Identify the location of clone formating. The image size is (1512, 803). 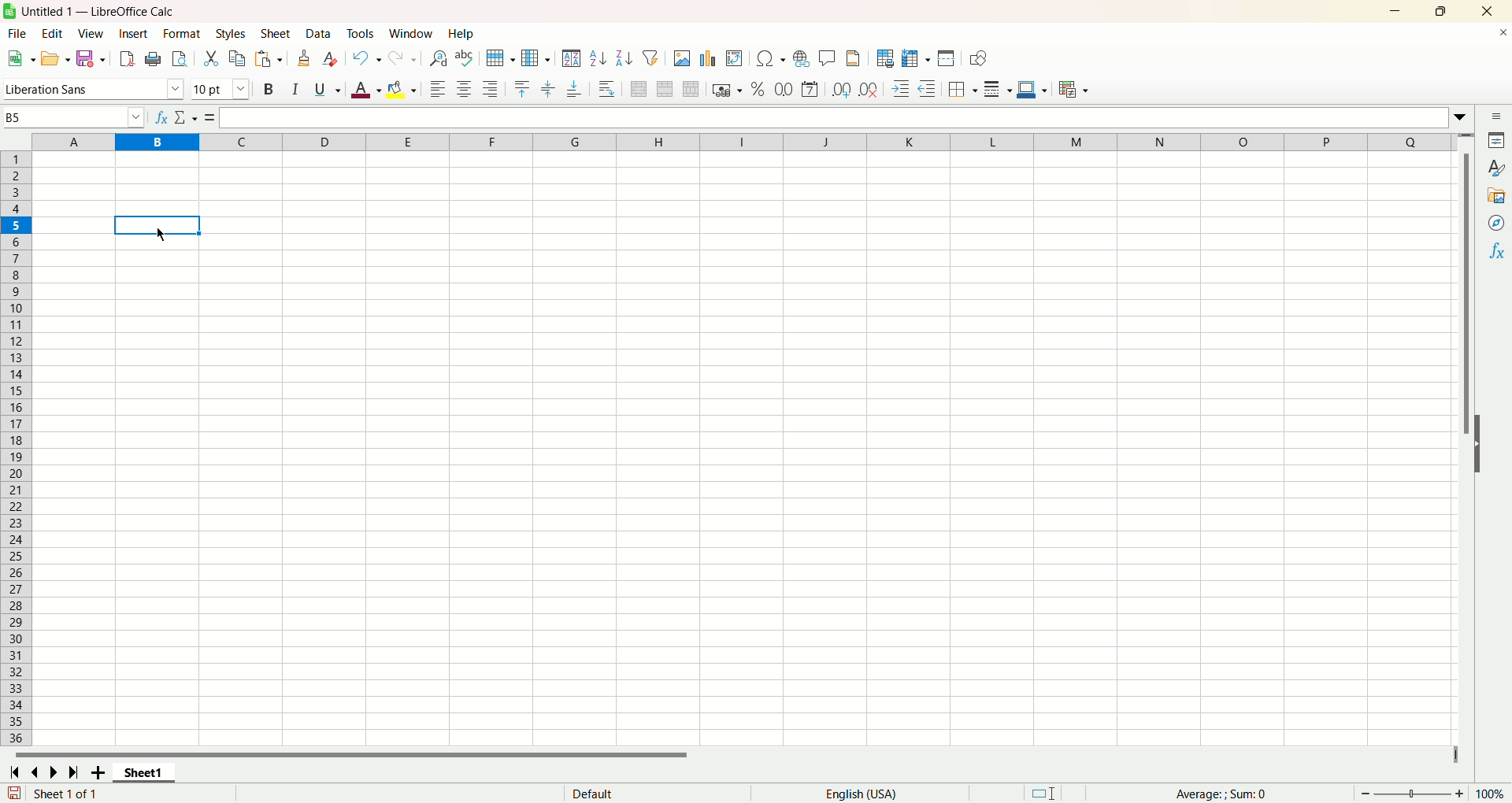
(306, 58).